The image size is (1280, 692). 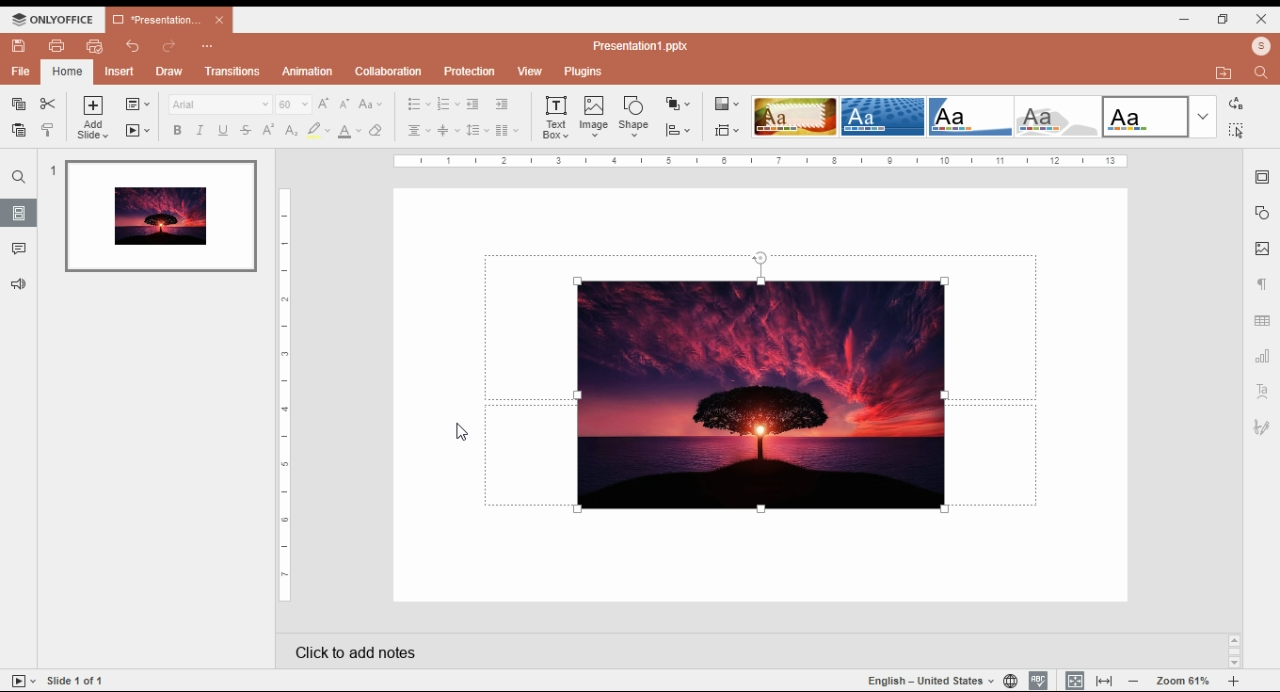 What do you see at coordinates (201, 132) in the screenshot?
I see `italics` at bounding box center [201, 132].